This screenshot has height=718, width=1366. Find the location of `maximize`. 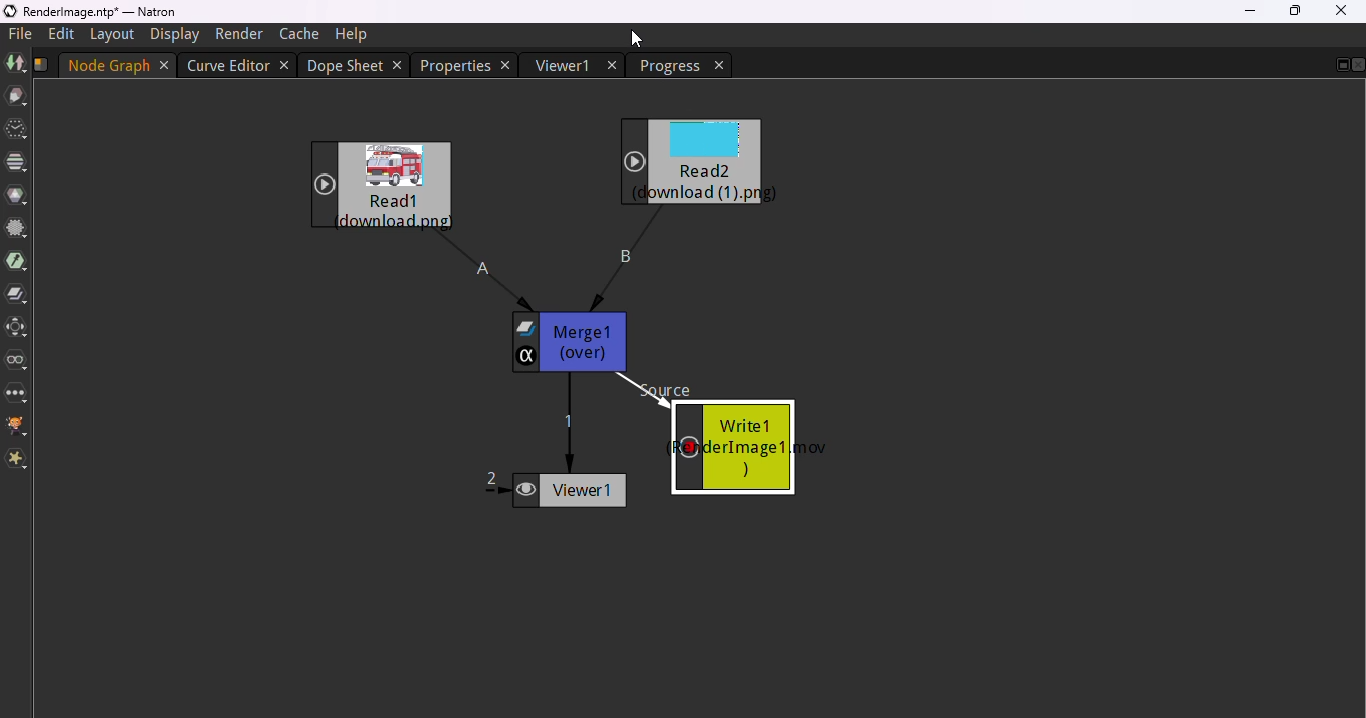

maximize is located at coordinates (1294, 11).